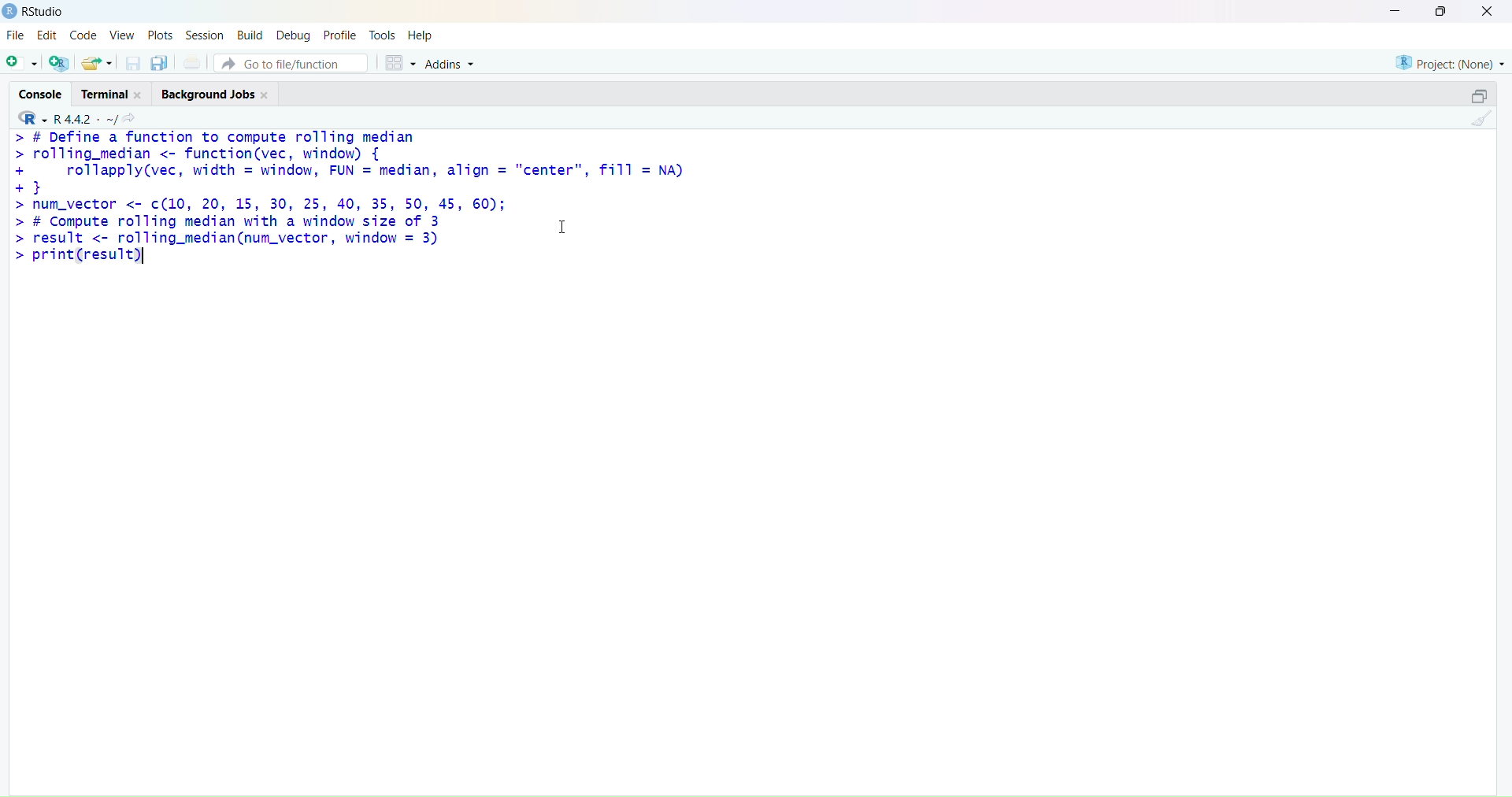 The width and height of the screenshot is (1512, 797). I want to click on build, so click(250, 35).